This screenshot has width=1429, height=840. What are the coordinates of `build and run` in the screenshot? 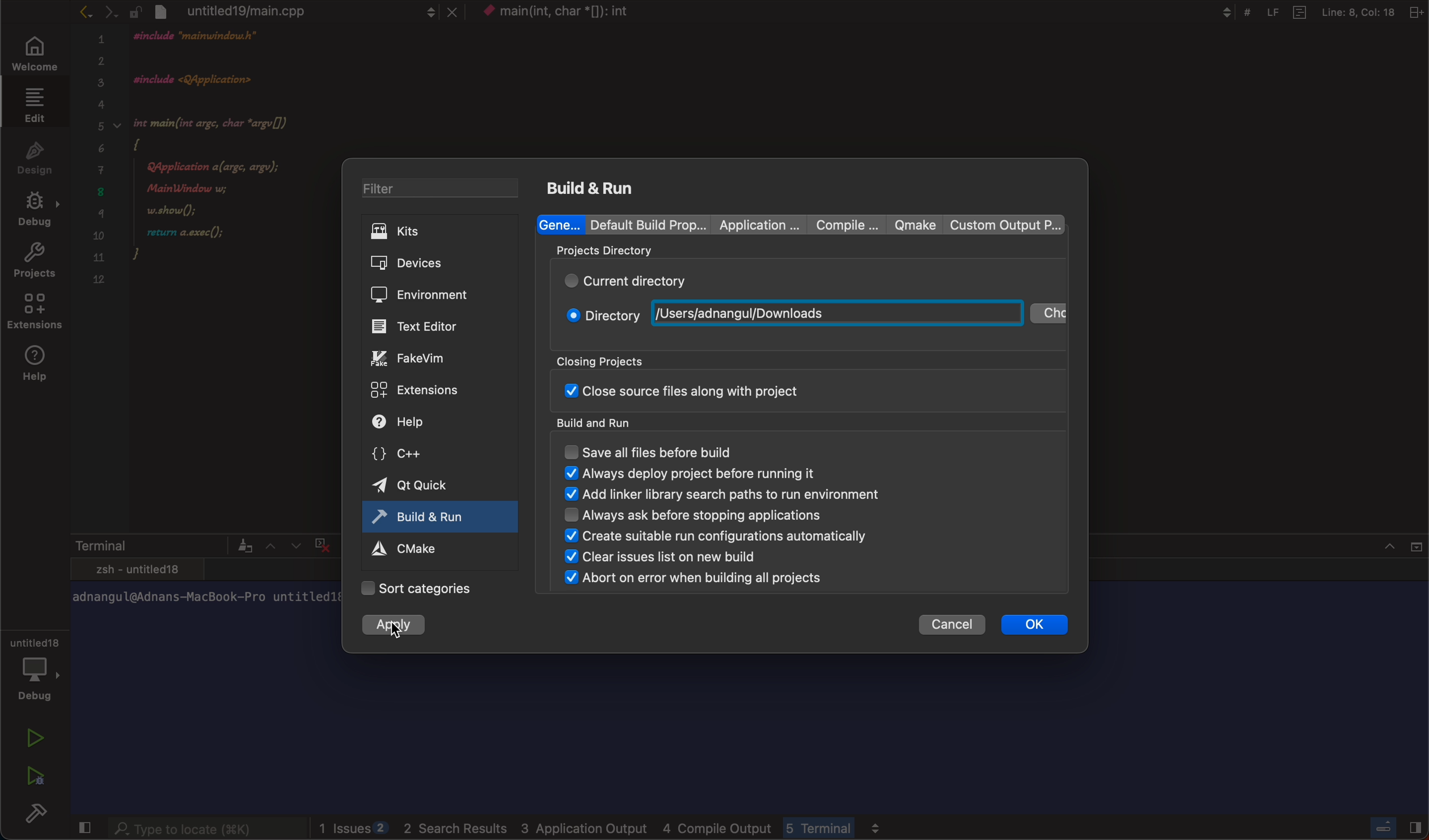 It's located at (590, 188).